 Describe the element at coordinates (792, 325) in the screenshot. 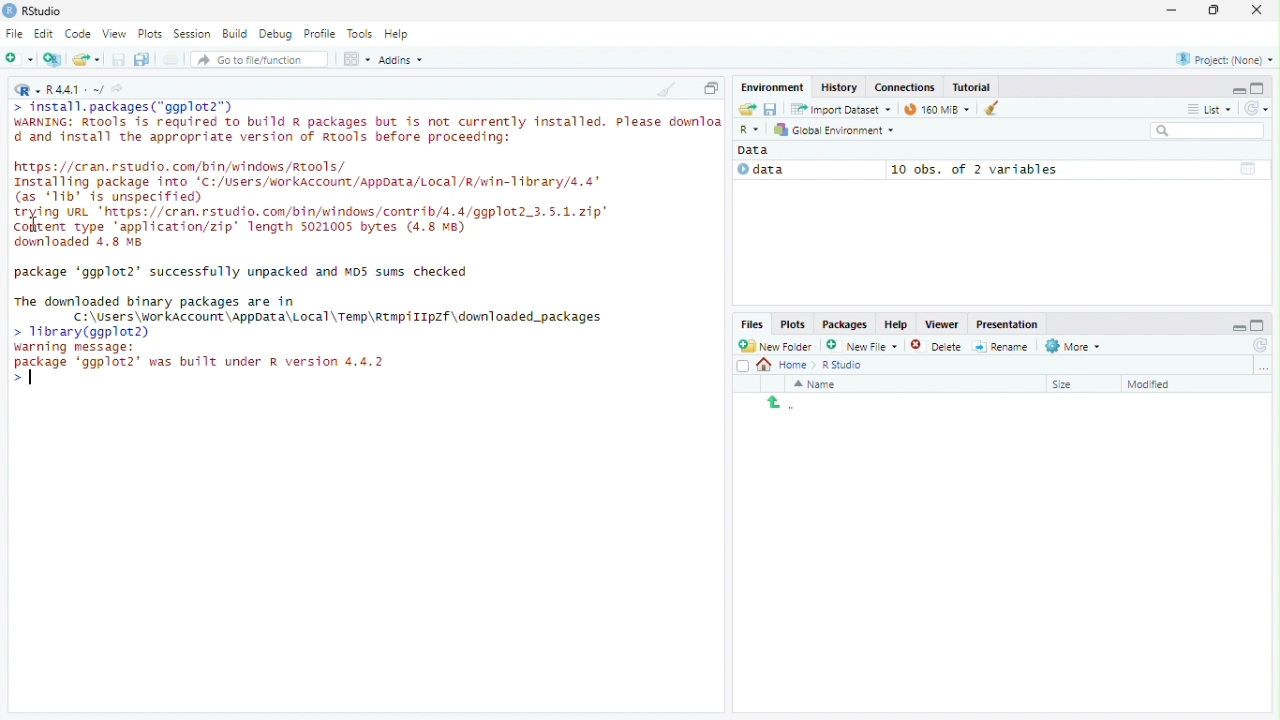

I see `Plots` at that location.